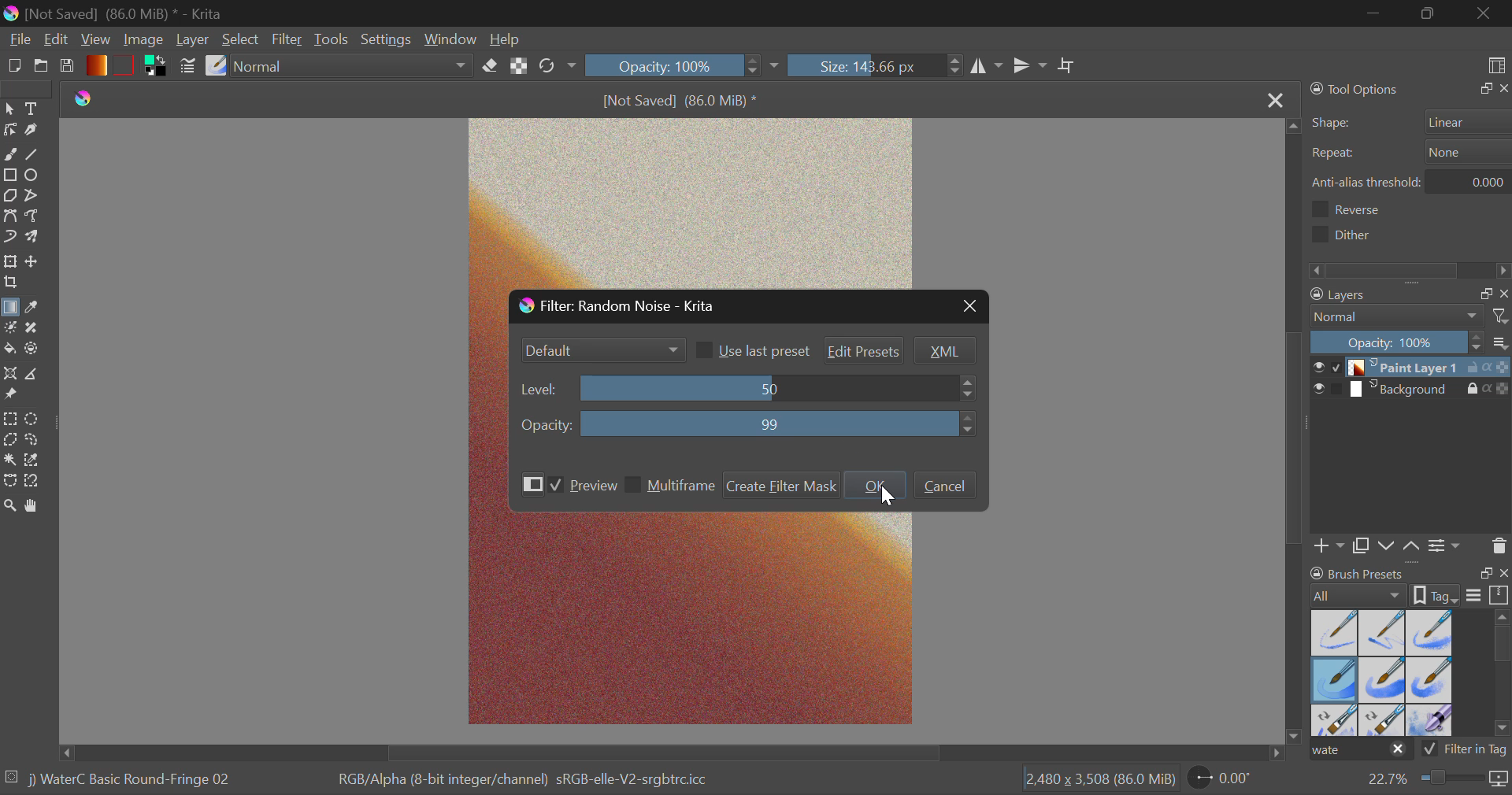  I want to click on add, so click(1330, 548).